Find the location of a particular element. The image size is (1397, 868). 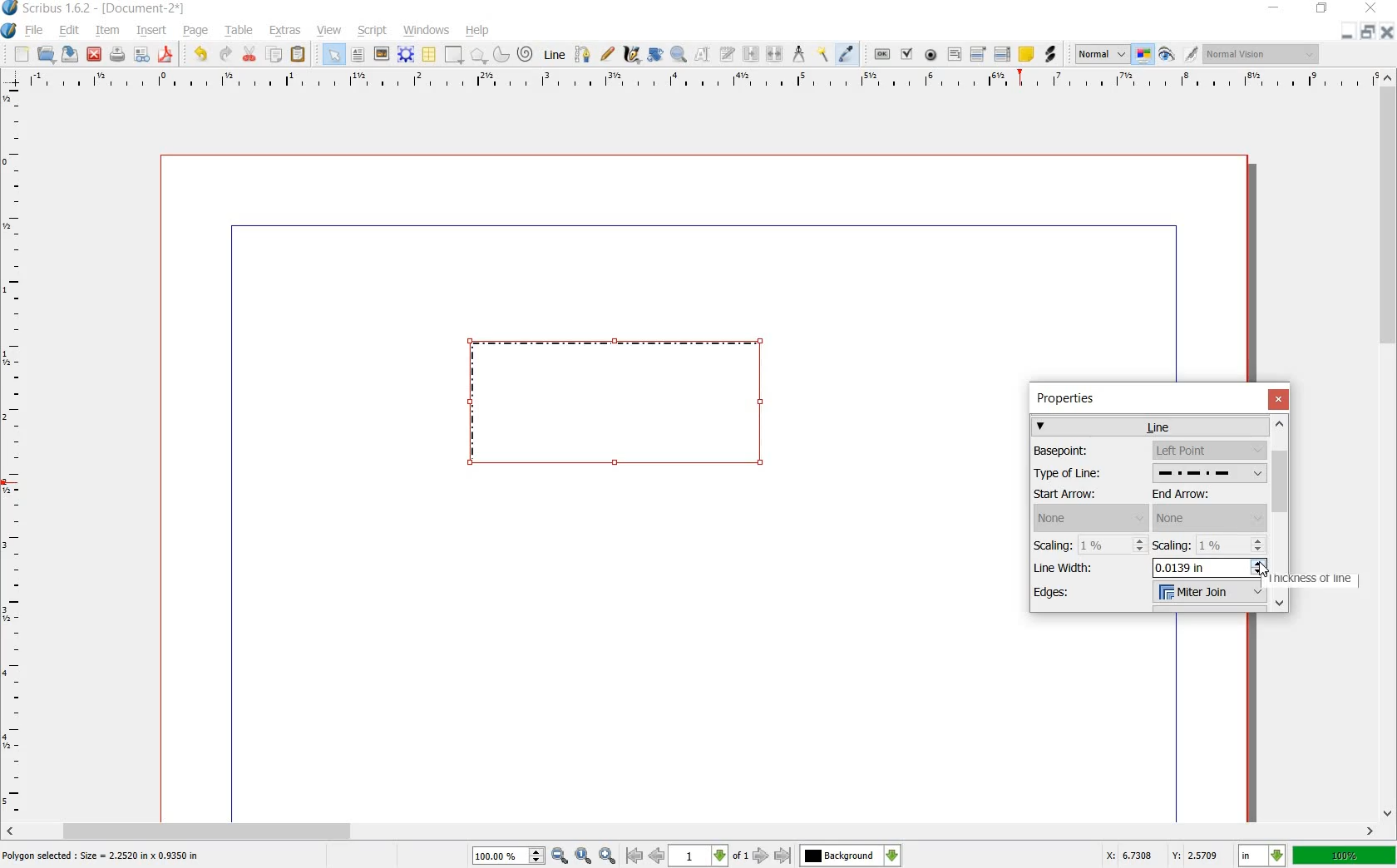

TEXT FRAME is located at coordinates (358, 55).